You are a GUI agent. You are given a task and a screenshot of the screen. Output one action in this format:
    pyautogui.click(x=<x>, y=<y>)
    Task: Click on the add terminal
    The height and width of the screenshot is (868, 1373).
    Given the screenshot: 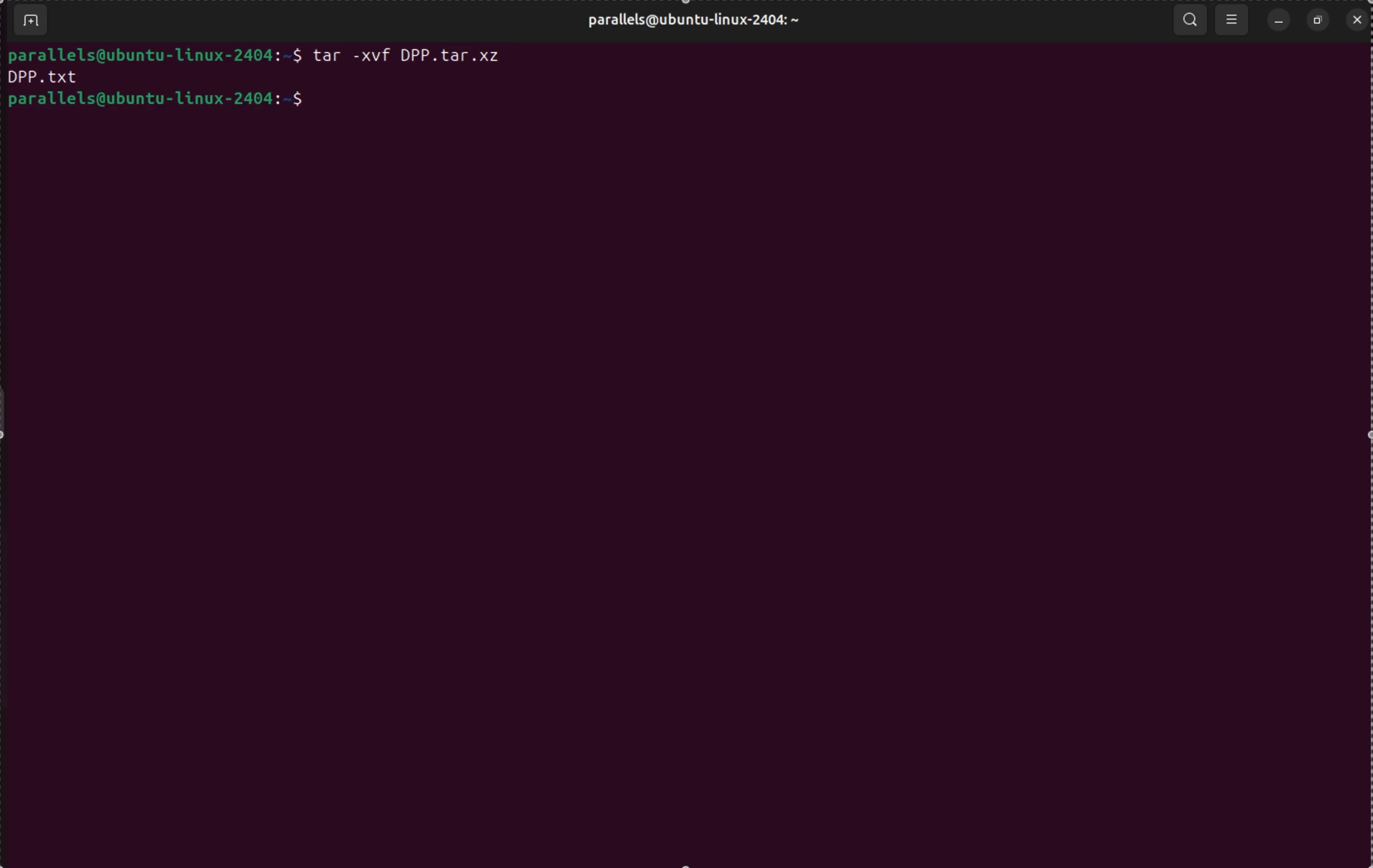 What is the action you would take?
    pyautogui.click(x=30, y=22)
    